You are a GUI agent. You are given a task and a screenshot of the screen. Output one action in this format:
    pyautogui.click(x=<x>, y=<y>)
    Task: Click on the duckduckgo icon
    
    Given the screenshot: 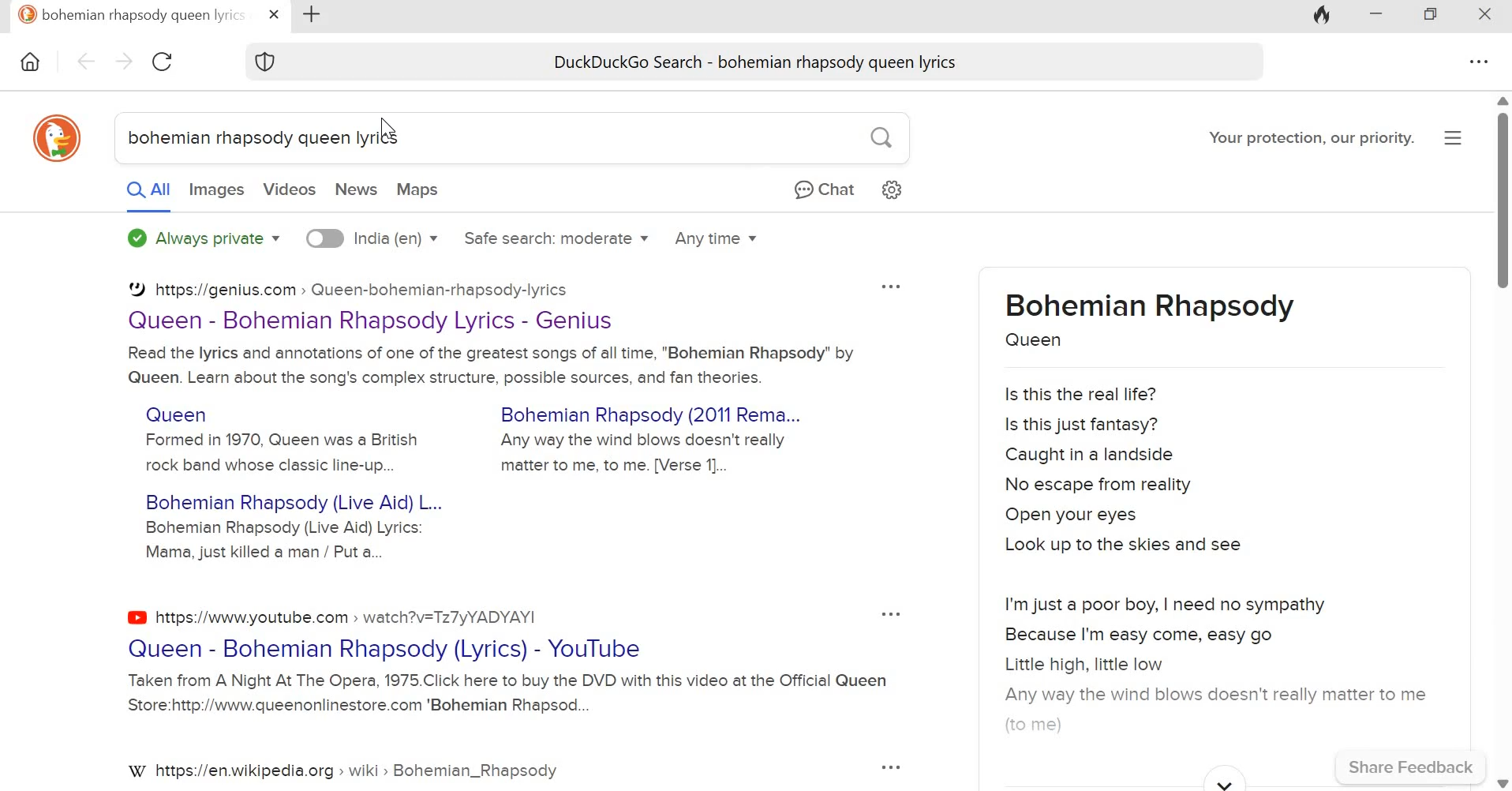 What is the action you would take?
    pyautogui.click(x=57, y=138)
    